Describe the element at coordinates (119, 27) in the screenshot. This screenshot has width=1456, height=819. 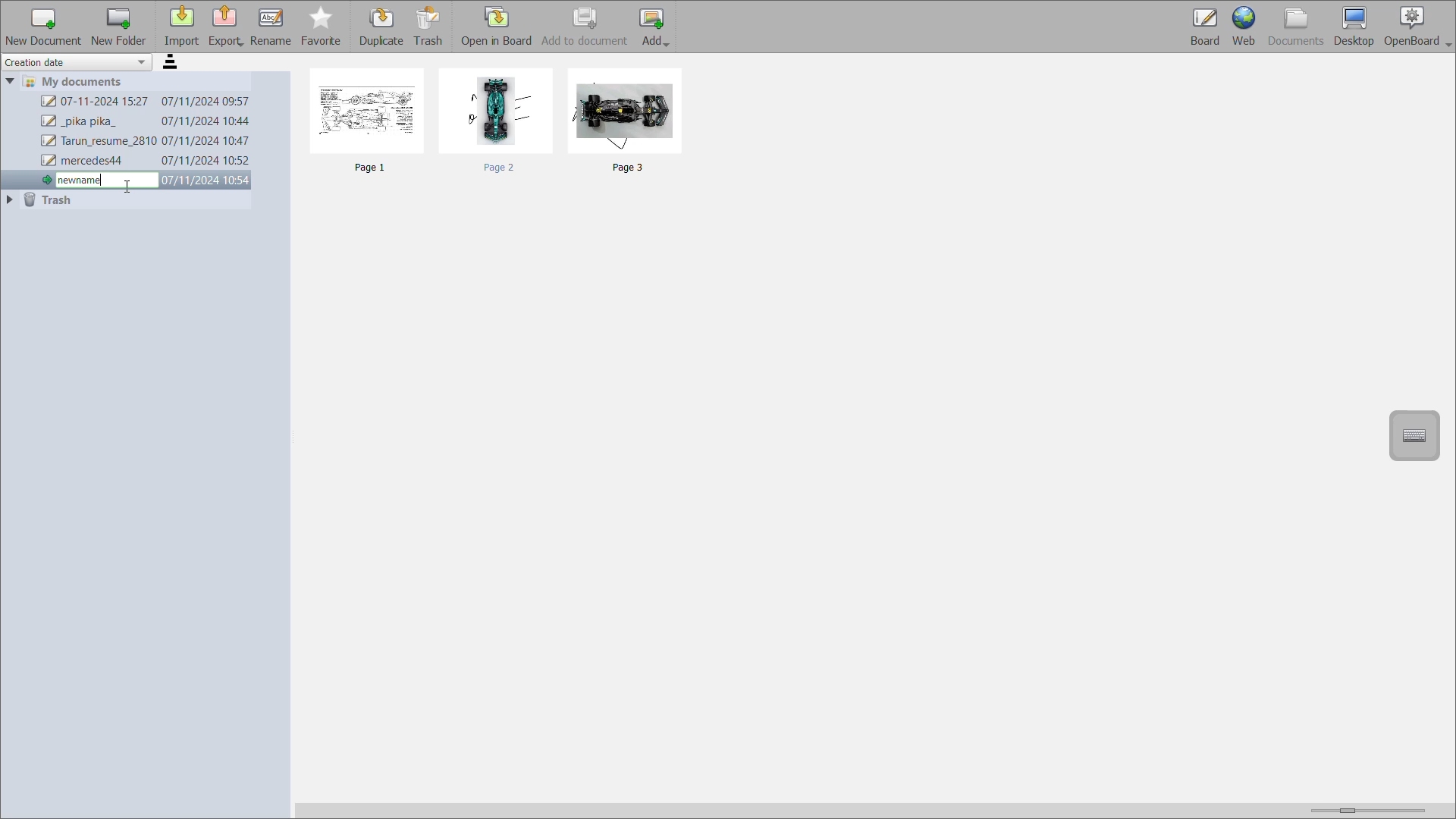
I see `new folder` at that location.